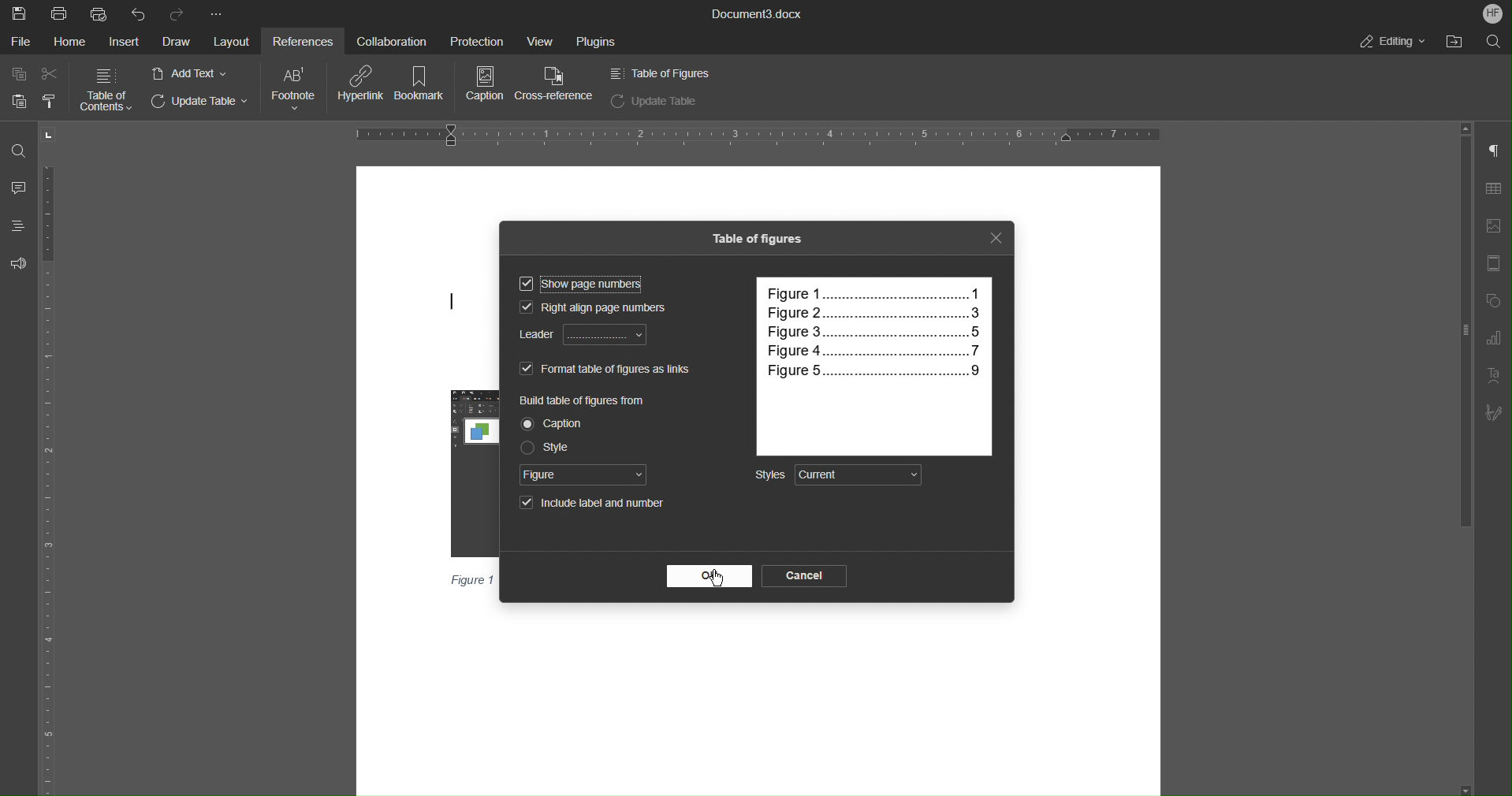  Describe the element at coordinates (534, 39) in the screenshot. I see `View ` at that location.